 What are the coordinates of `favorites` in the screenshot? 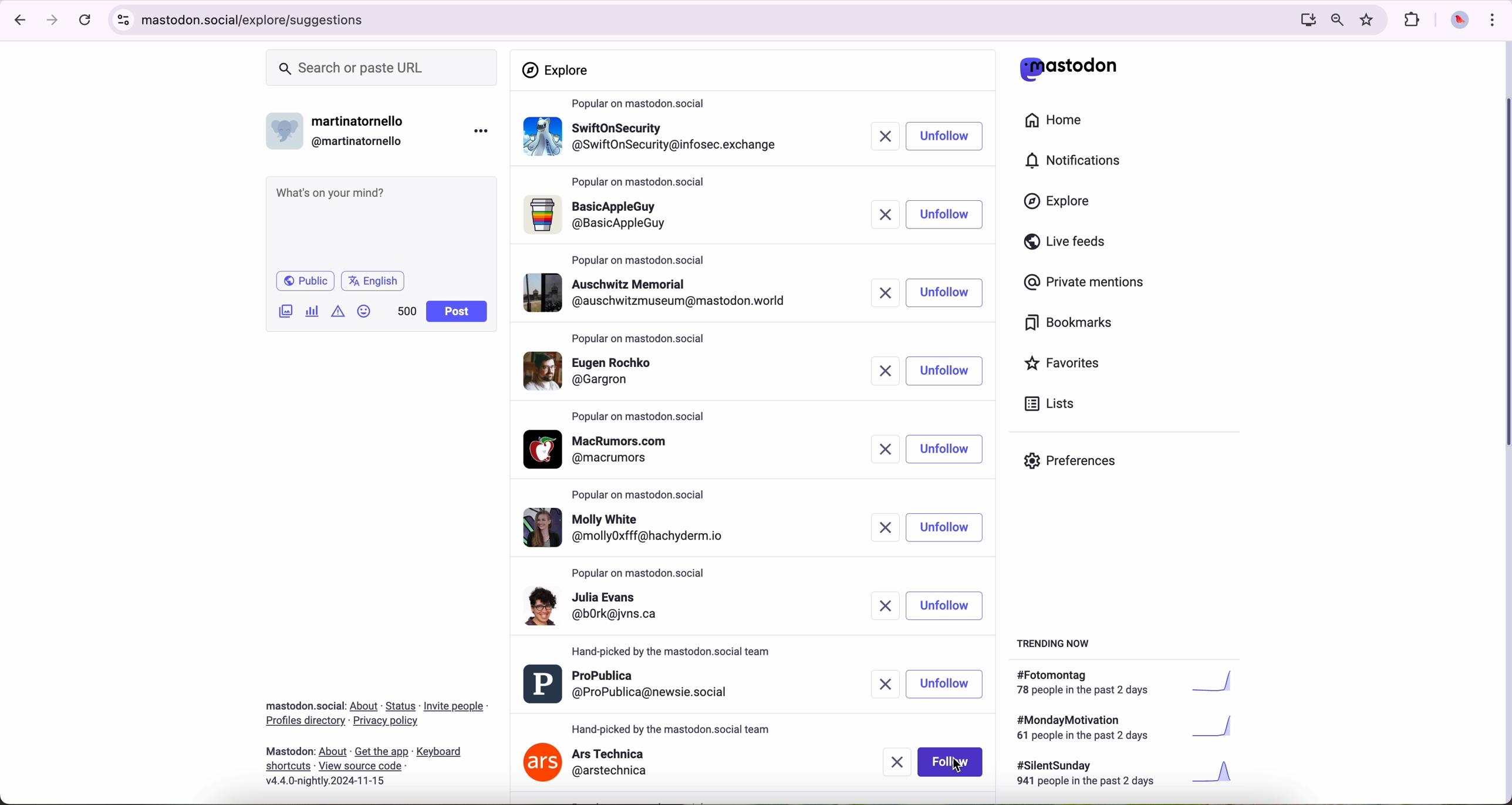 It's located at (1067, 365).